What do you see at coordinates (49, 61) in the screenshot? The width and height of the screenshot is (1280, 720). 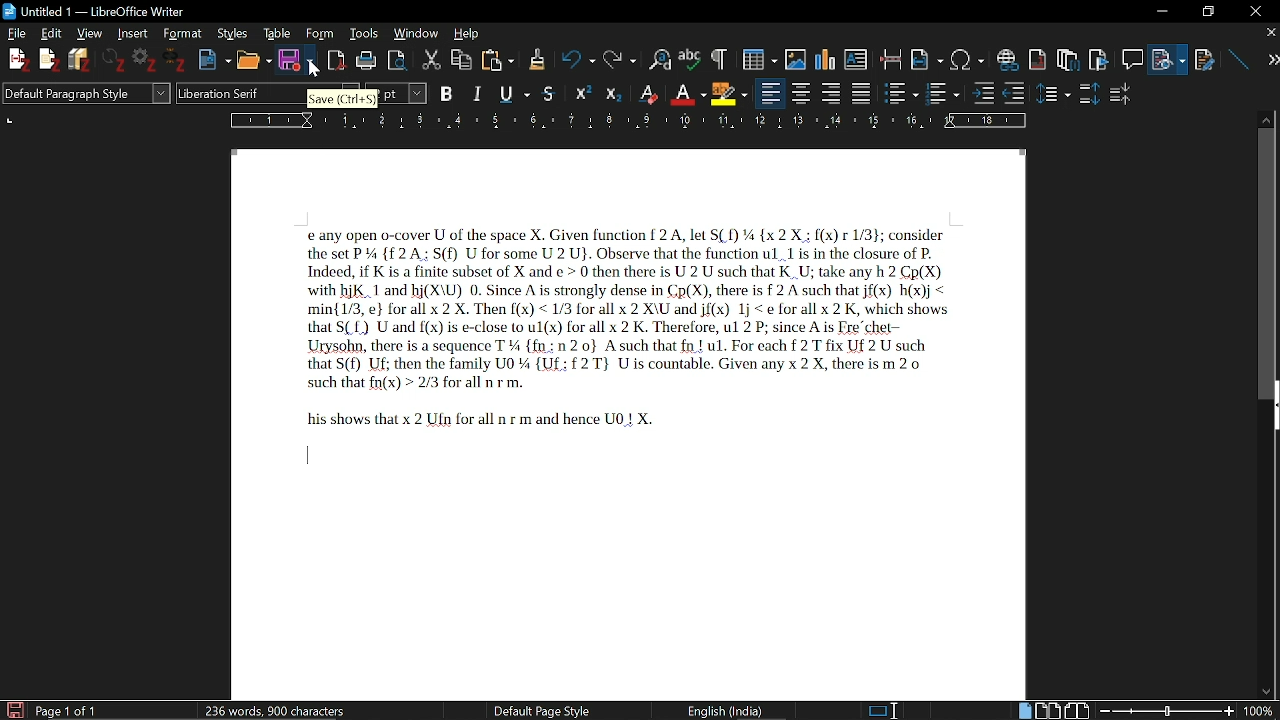 I see `` at bounding box center [49, 61].